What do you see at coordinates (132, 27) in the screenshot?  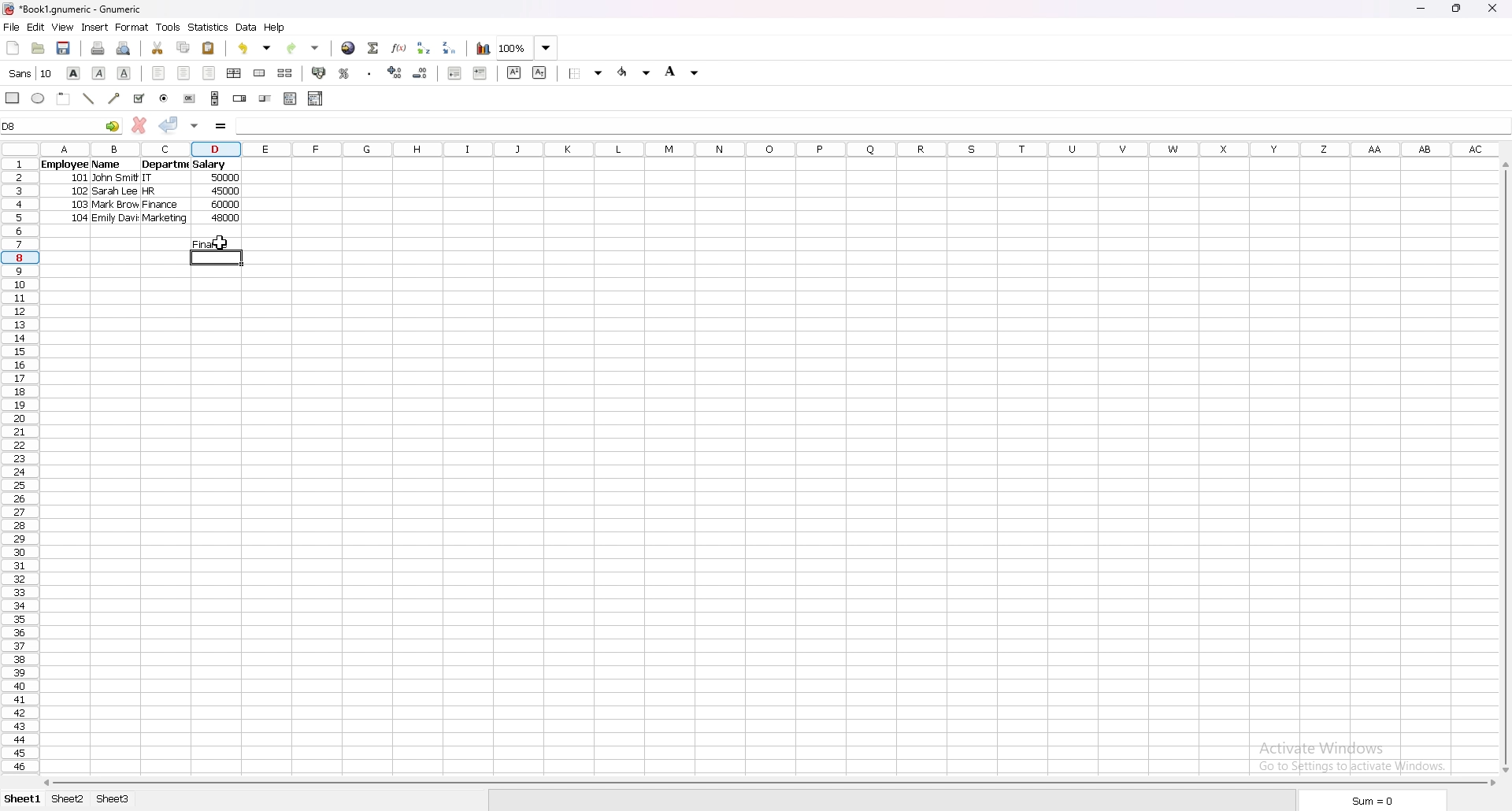 I see `format` at bounding box center [132, 27].